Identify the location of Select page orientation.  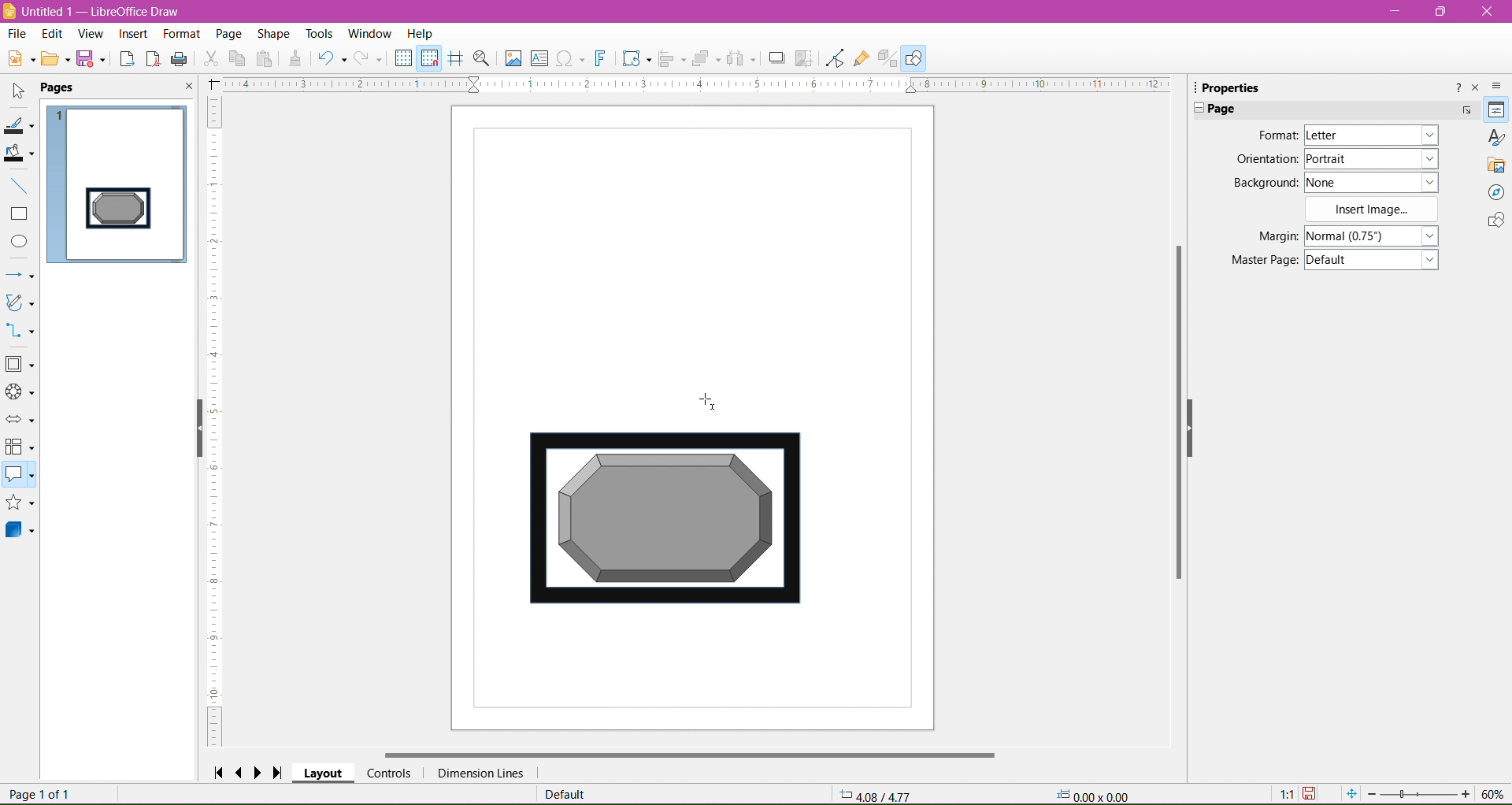
(1374, 158).